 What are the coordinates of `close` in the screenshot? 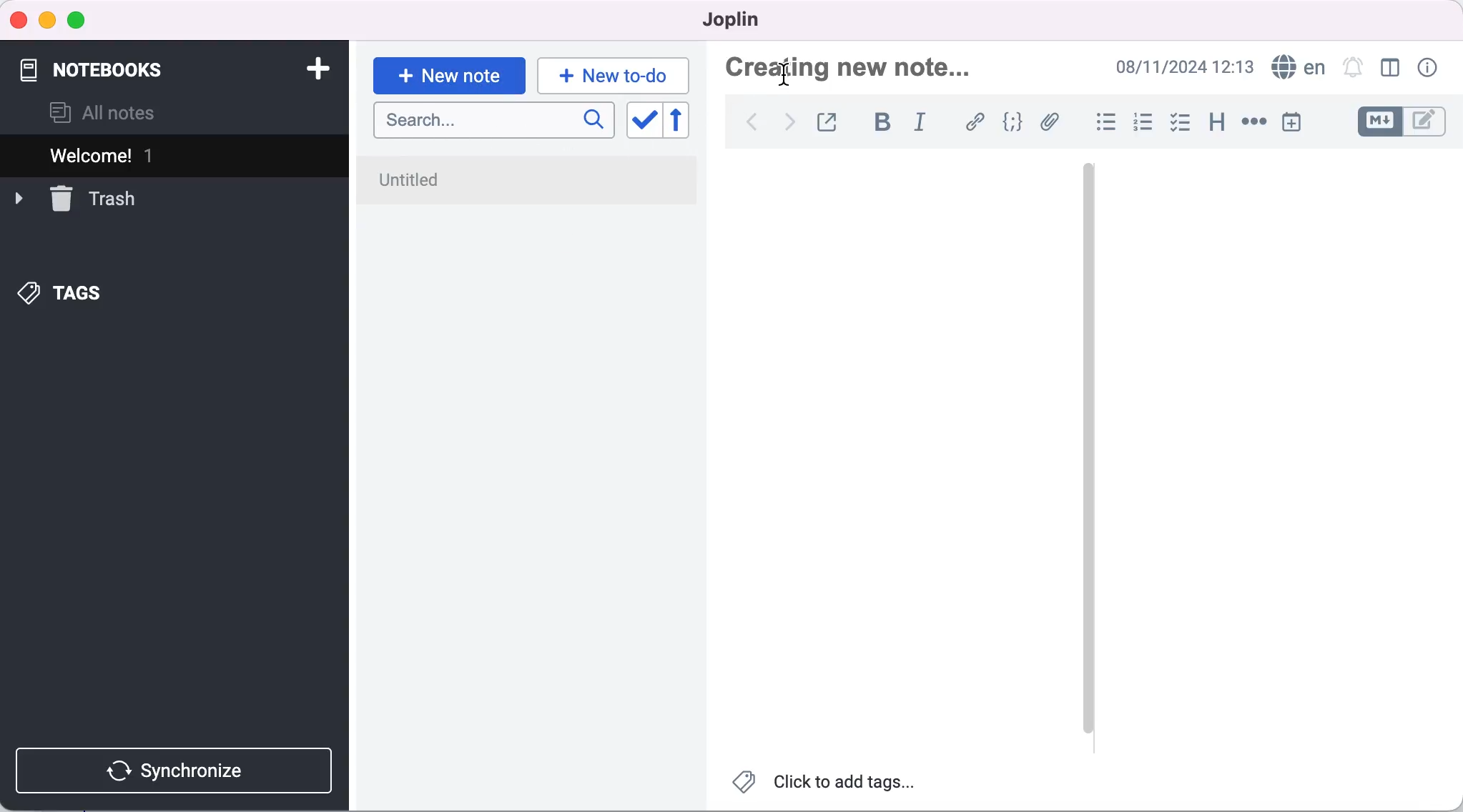 It's located at (19, 19).